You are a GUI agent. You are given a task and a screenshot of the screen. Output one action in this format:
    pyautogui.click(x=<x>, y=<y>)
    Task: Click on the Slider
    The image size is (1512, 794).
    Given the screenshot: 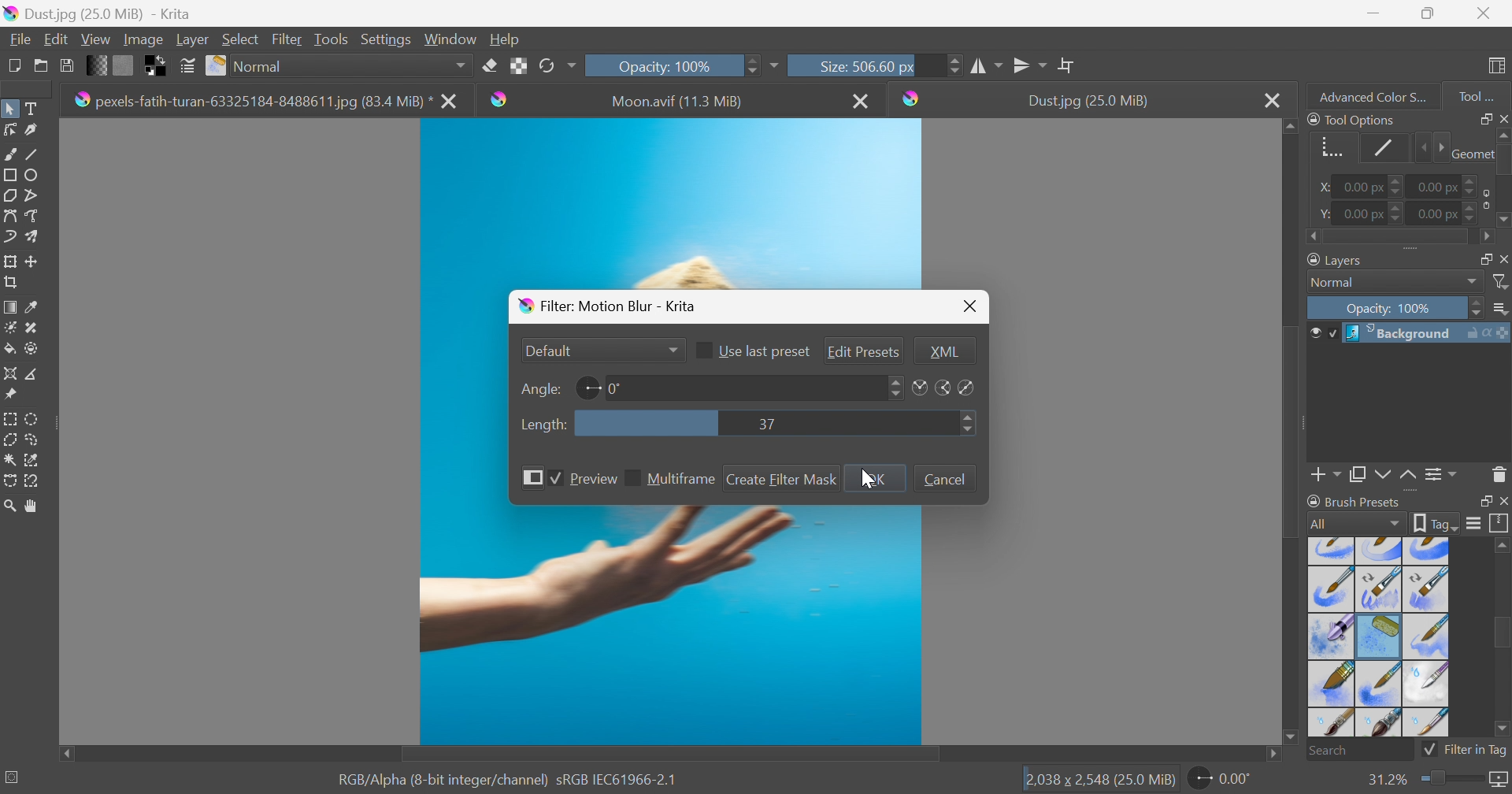 What is the action you would take?
    pyautogui.click(x=1398, y=213)
    